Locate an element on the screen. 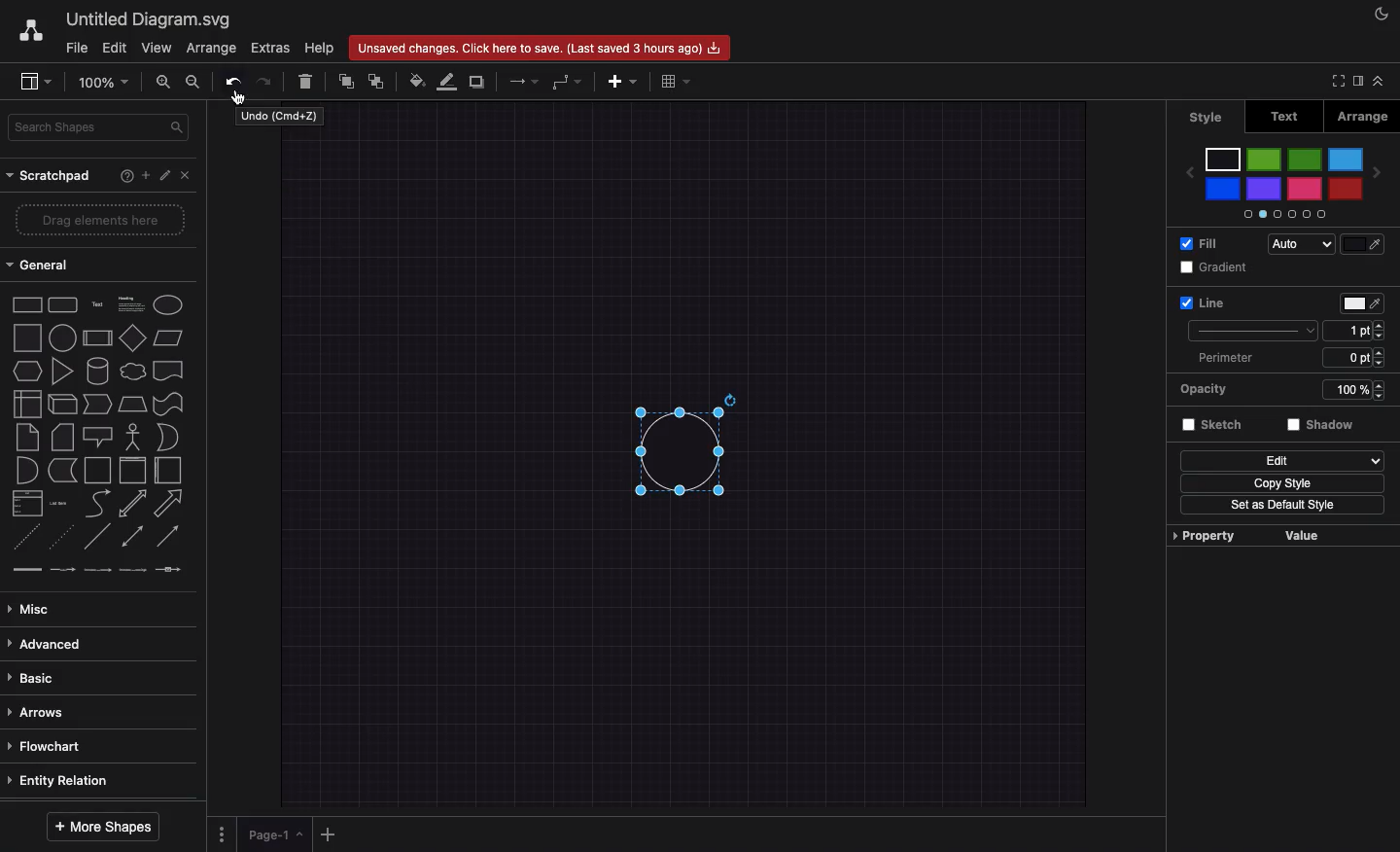 The image size is (1400, 852). Scratchpad is located at coordinates (50, 175).